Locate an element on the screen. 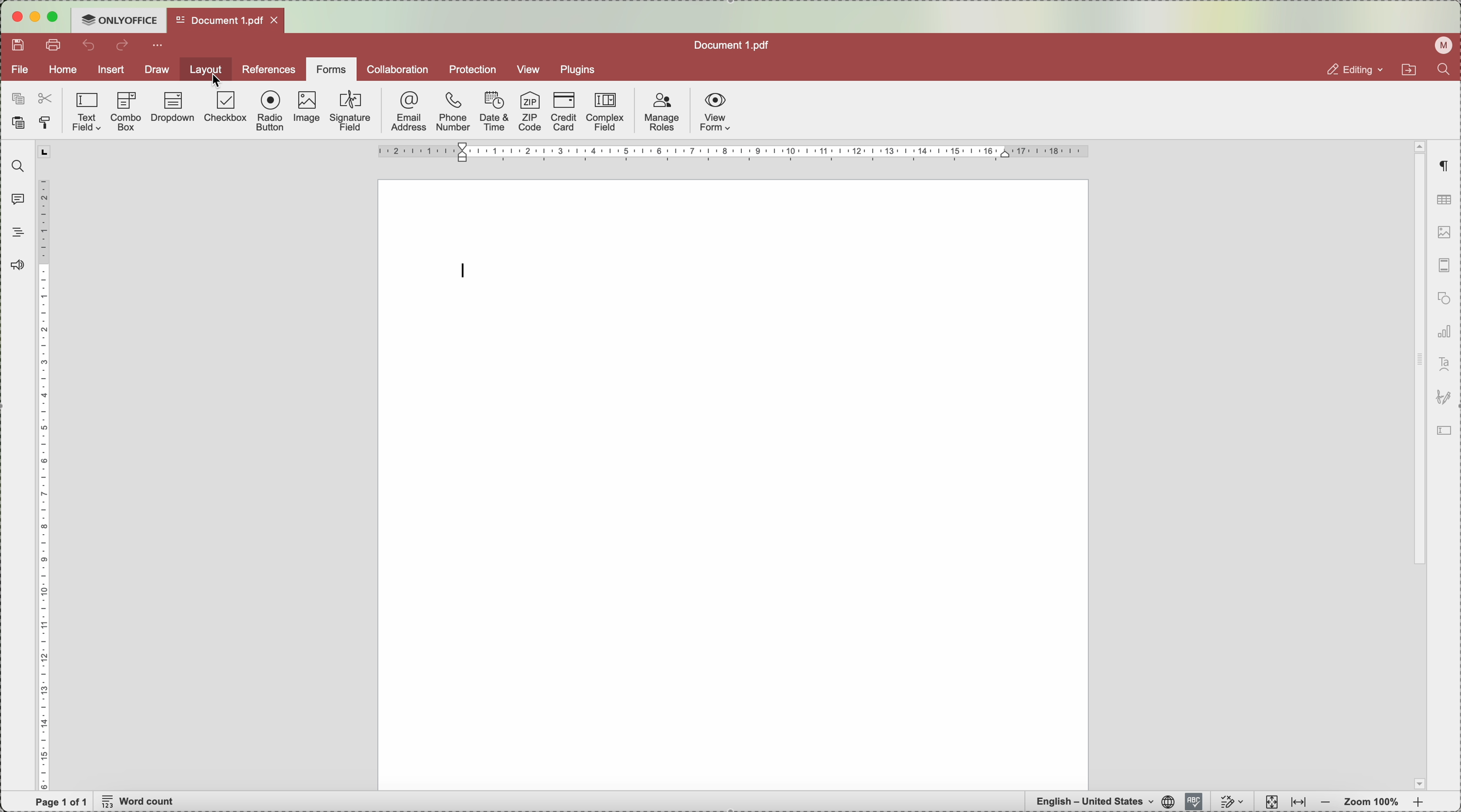  image settings is located at coordinates (1443, 234).